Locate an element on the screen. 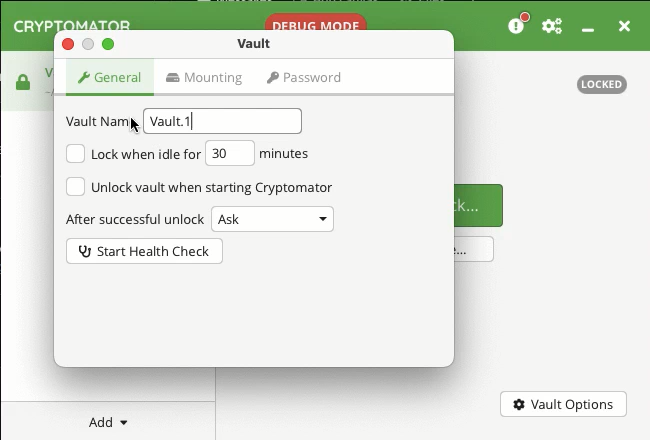  Vault Options is located at coordinates (561, 404).